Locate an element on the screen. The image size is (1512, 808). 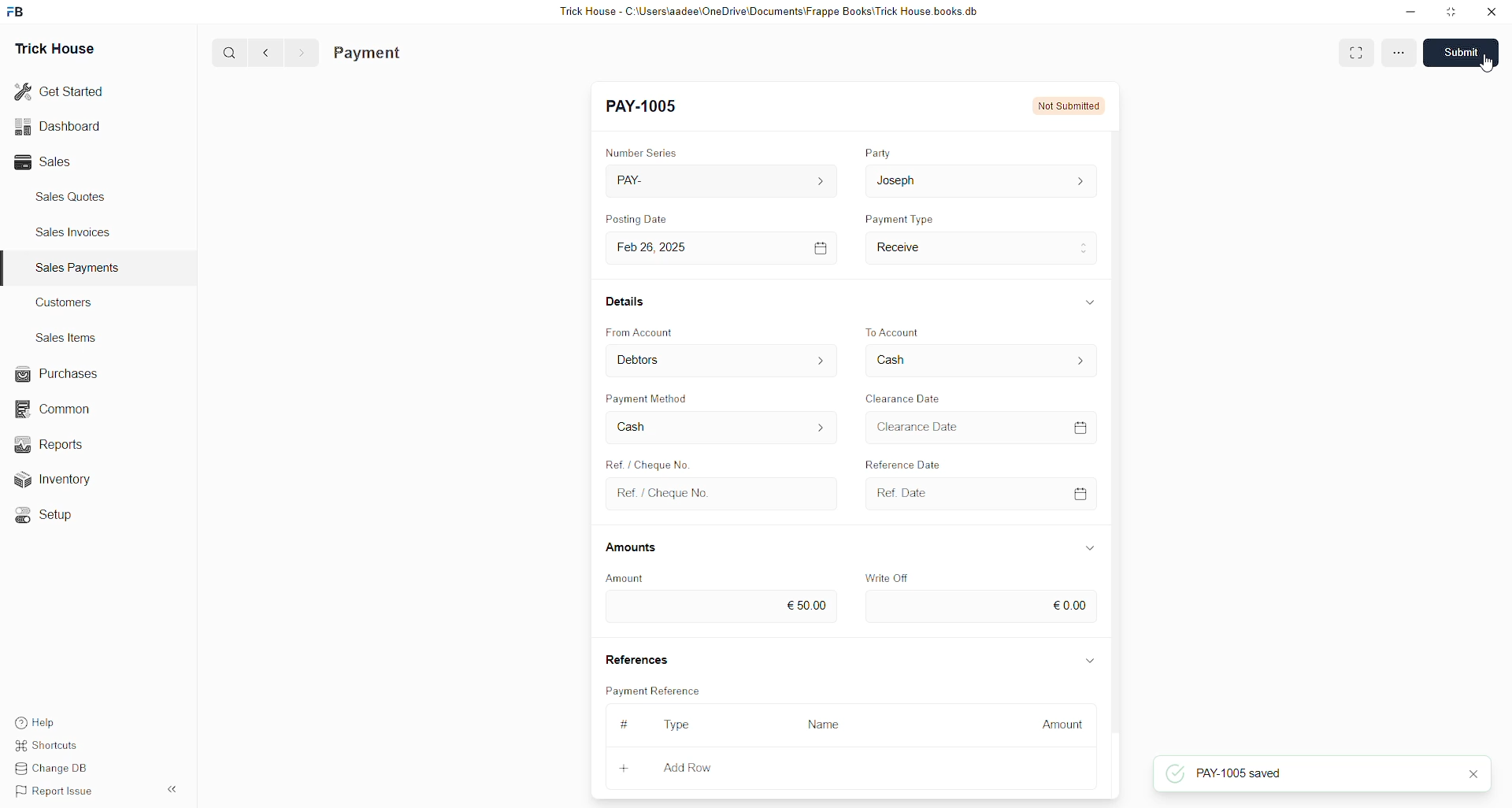
Search is located at coordinates (229, 52).